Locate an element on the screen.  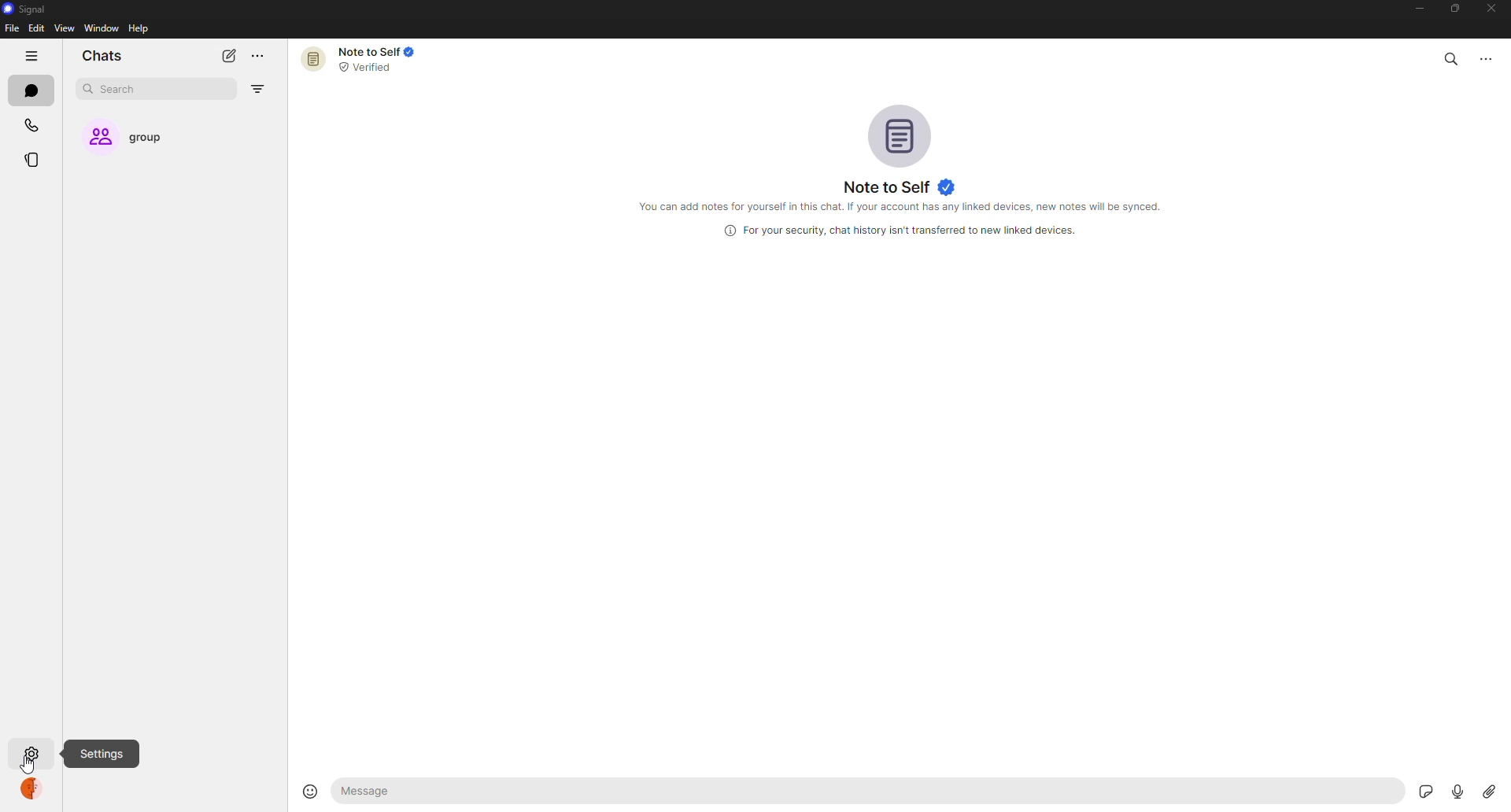
profile is located at coordinates (35, 792).